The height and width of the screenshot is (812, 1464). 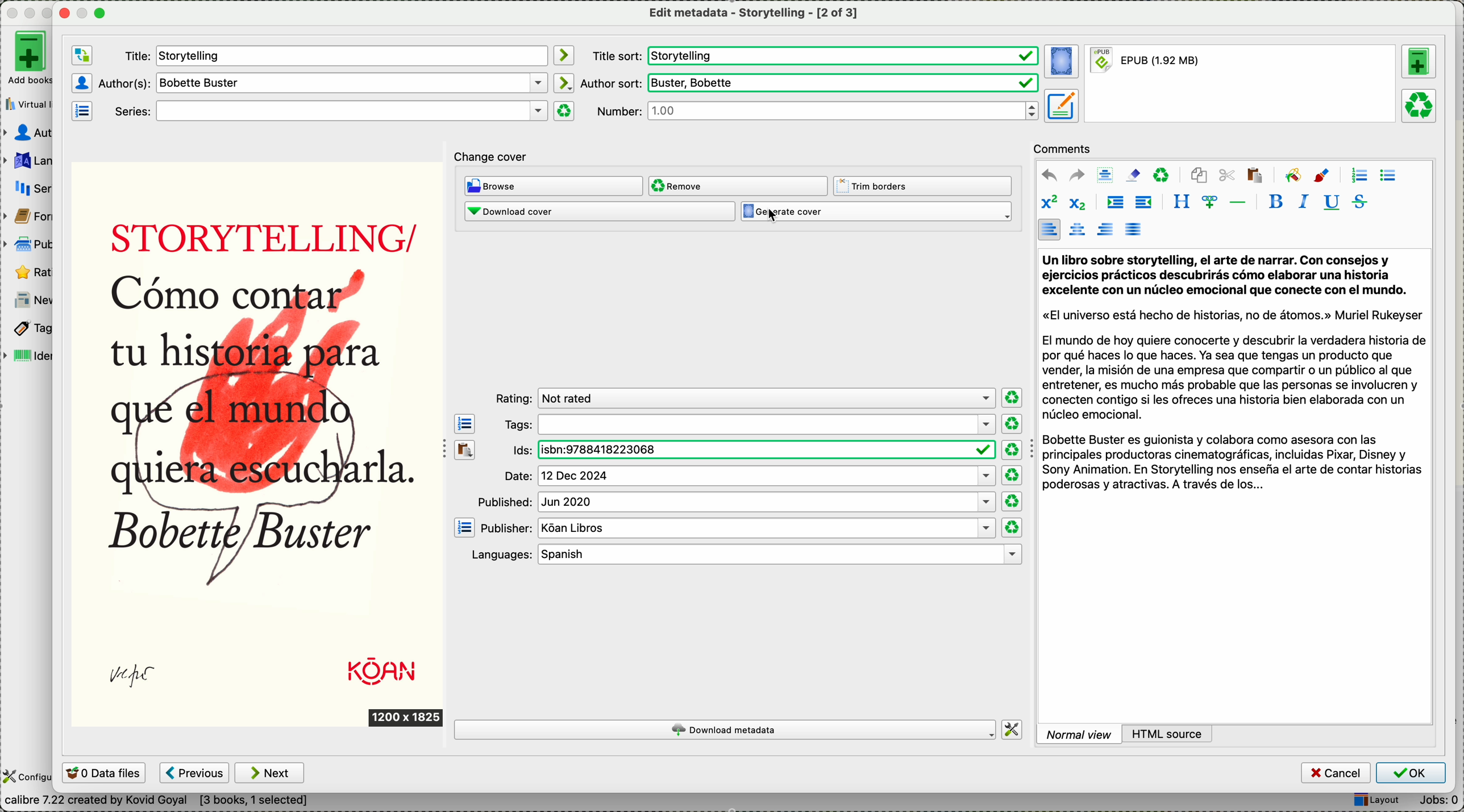 What do you see at coordinates (1011, 501) in the screenshot?
I see `clear date` at bounding box center [1011, 501].